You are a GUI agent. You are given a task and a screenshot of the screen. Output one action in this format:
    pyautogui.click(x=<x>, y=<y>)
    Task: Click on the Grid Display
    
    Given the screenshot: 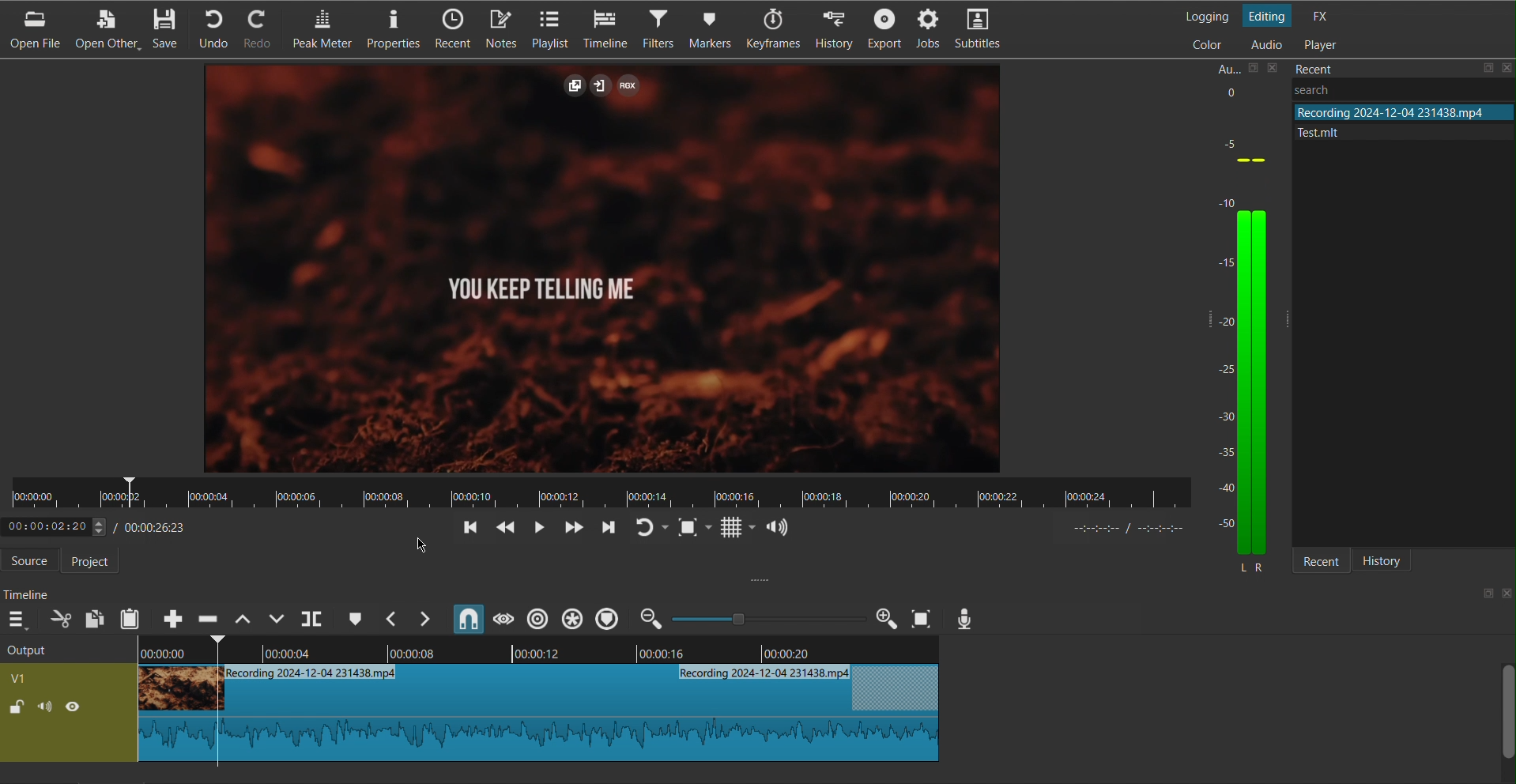 What is the action you would take?
    pyautogui.click(x=738, y=529)
    